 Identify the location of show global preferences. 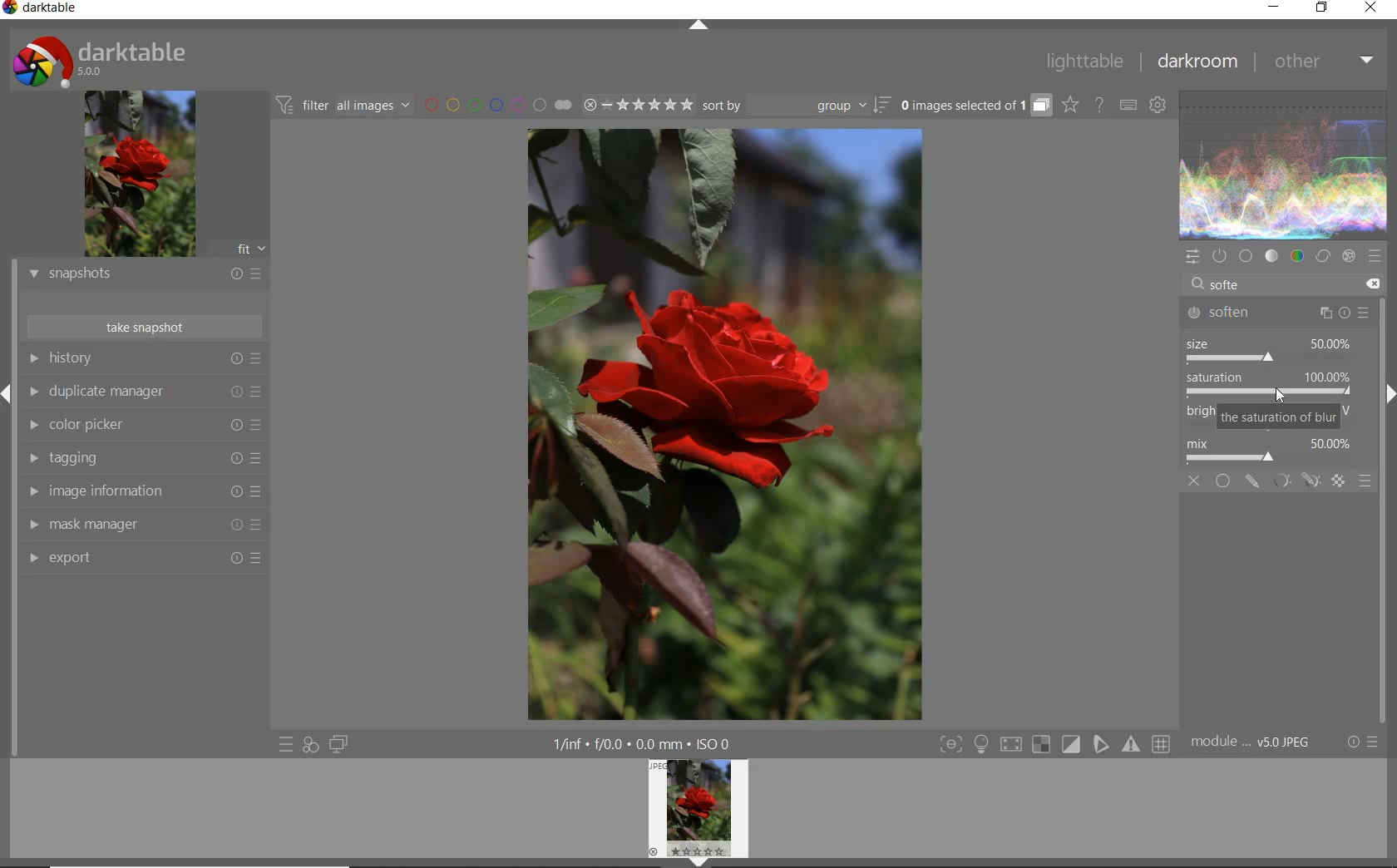
(1157, 106).